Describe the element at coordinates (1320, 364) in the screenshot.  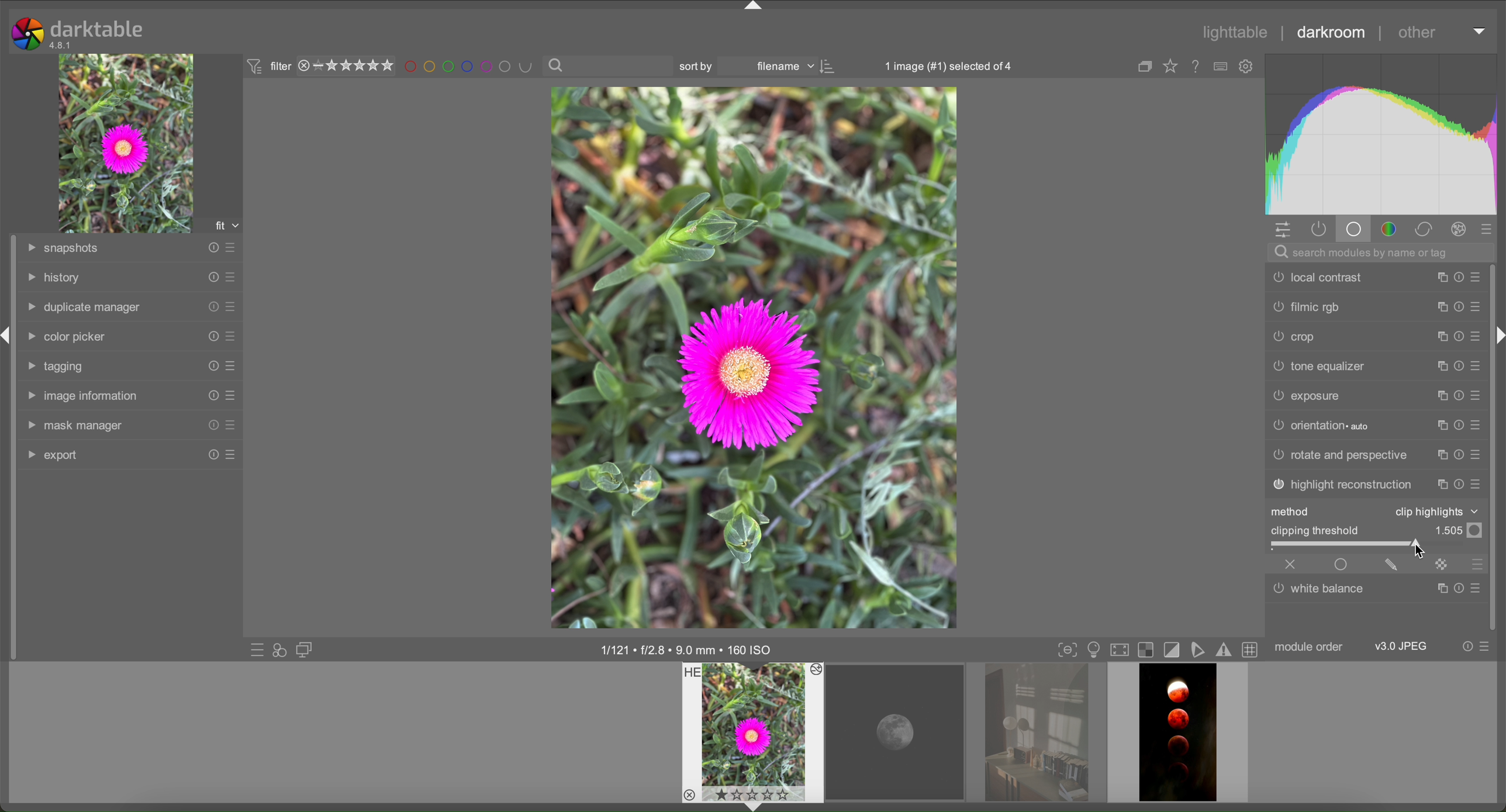
I see `tone equalizer` at that location.